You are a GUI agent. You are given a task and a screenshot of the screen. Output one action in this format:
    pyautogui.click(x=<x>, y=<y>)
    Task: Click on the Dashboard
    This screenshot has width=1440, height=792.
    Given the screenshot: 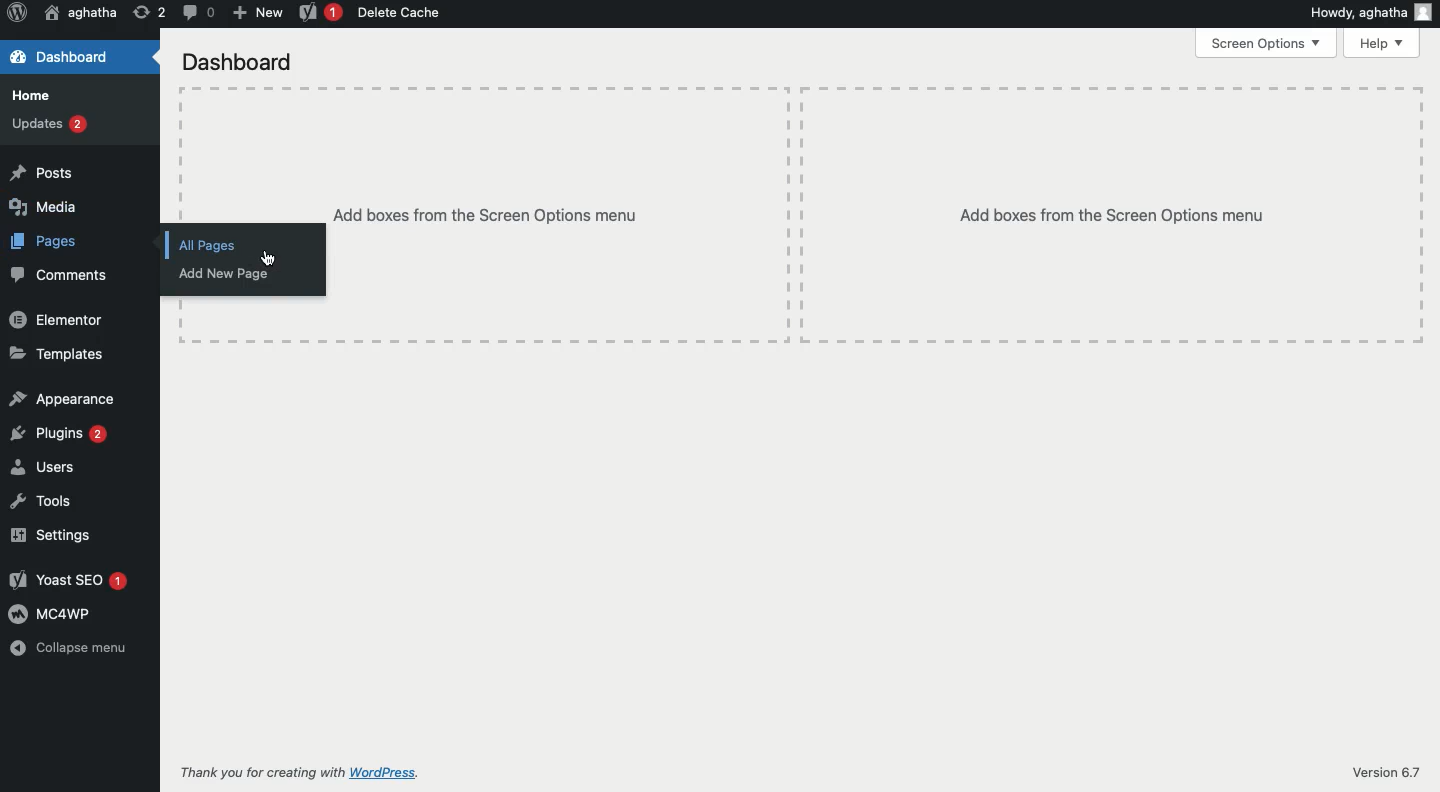 What is the action you would take?
    pyautogui.click(x=60, y=58)
    